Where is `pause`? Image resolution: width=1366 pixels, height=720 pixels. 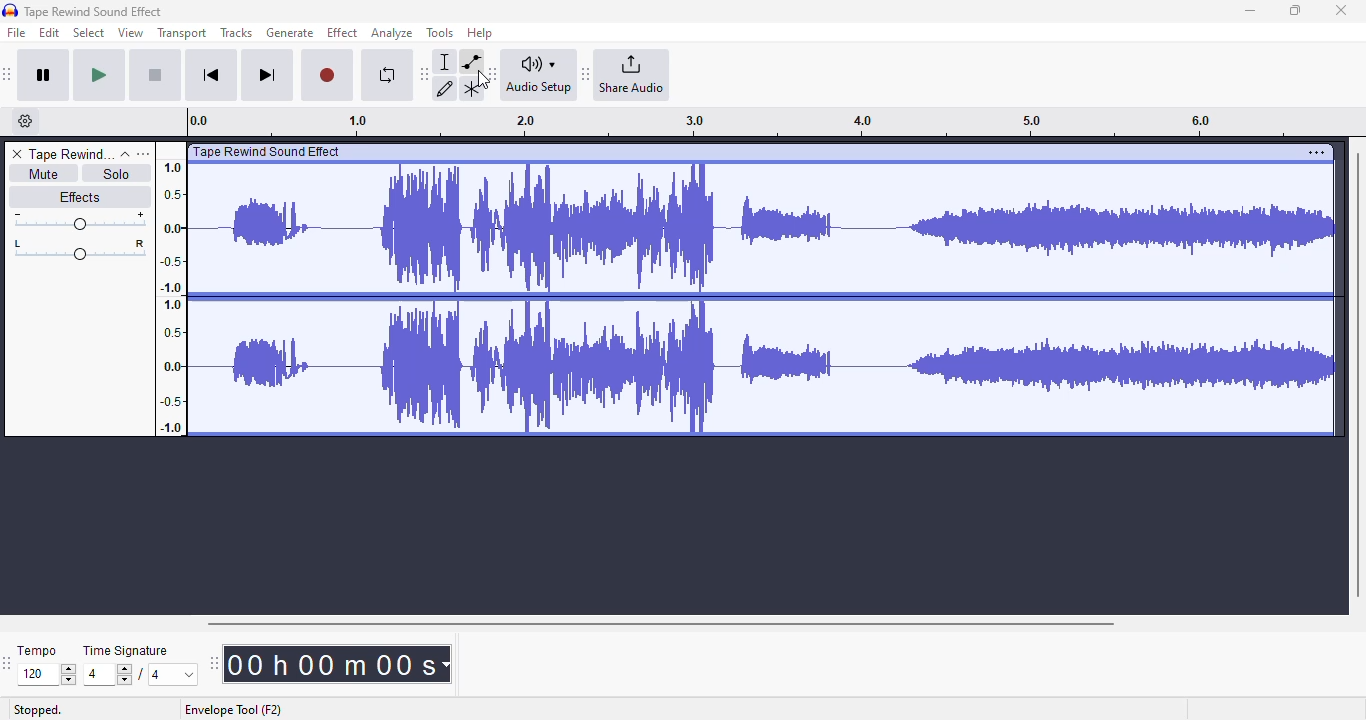
pause is located at coordinates (44, 76).